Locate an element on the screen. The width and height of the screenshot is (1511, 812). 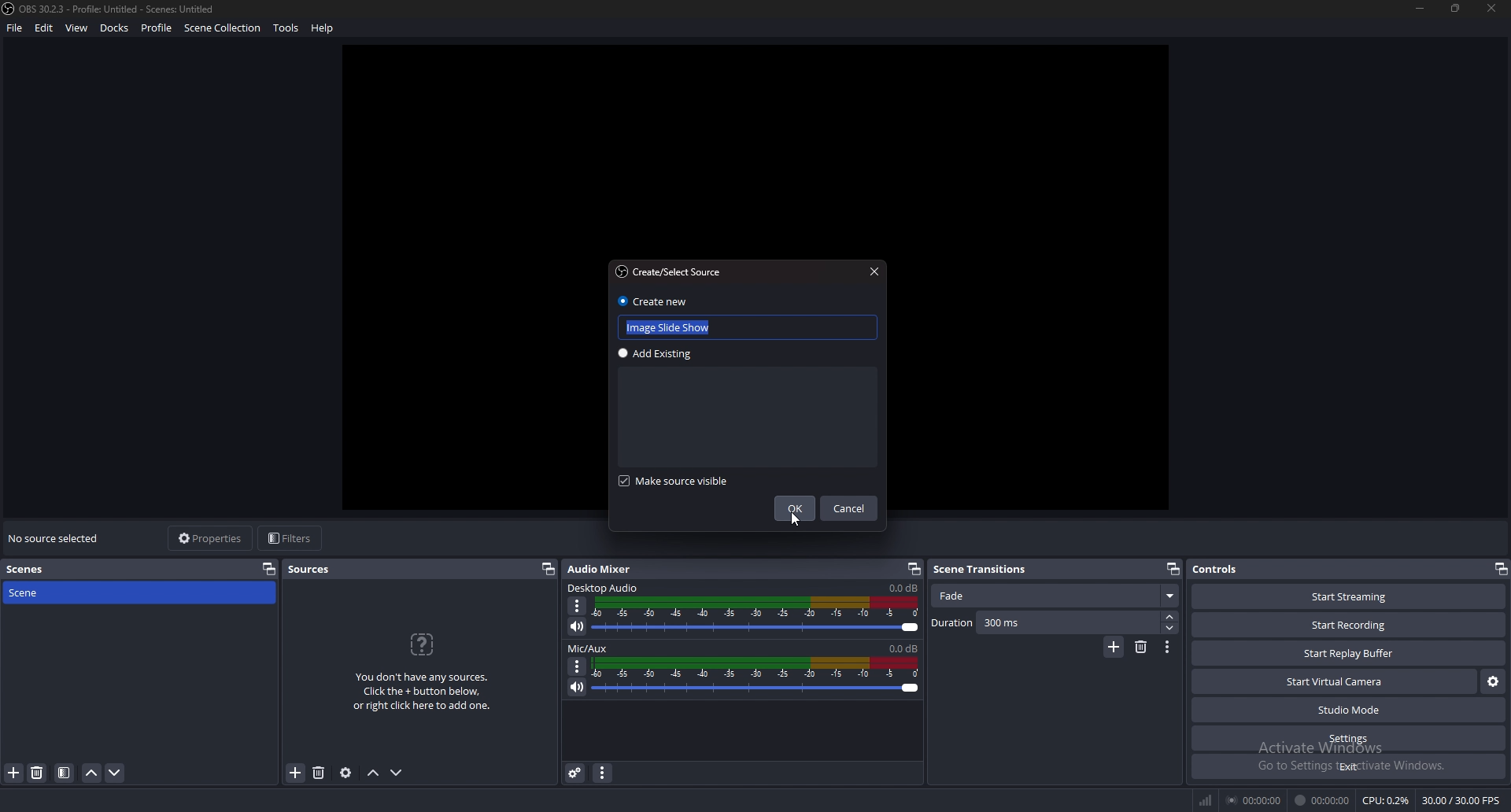
add scene is located at coordinates (15, 773).